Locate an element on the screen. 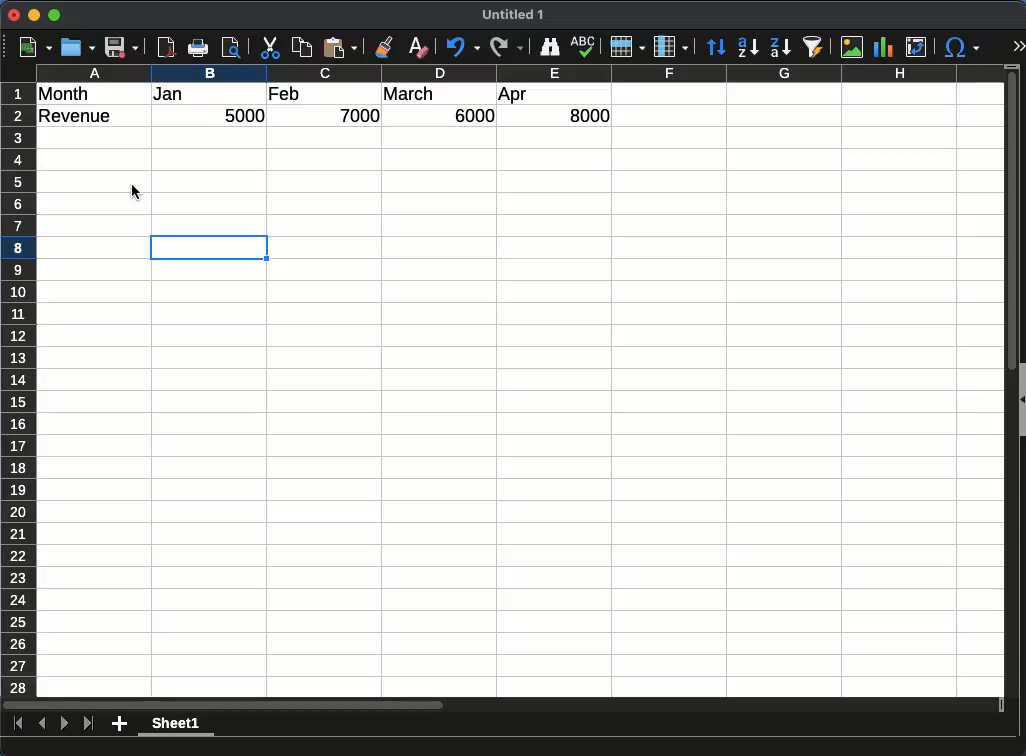 This screenshot has width=1026, height=756. save is located at coordinates (121, 47).